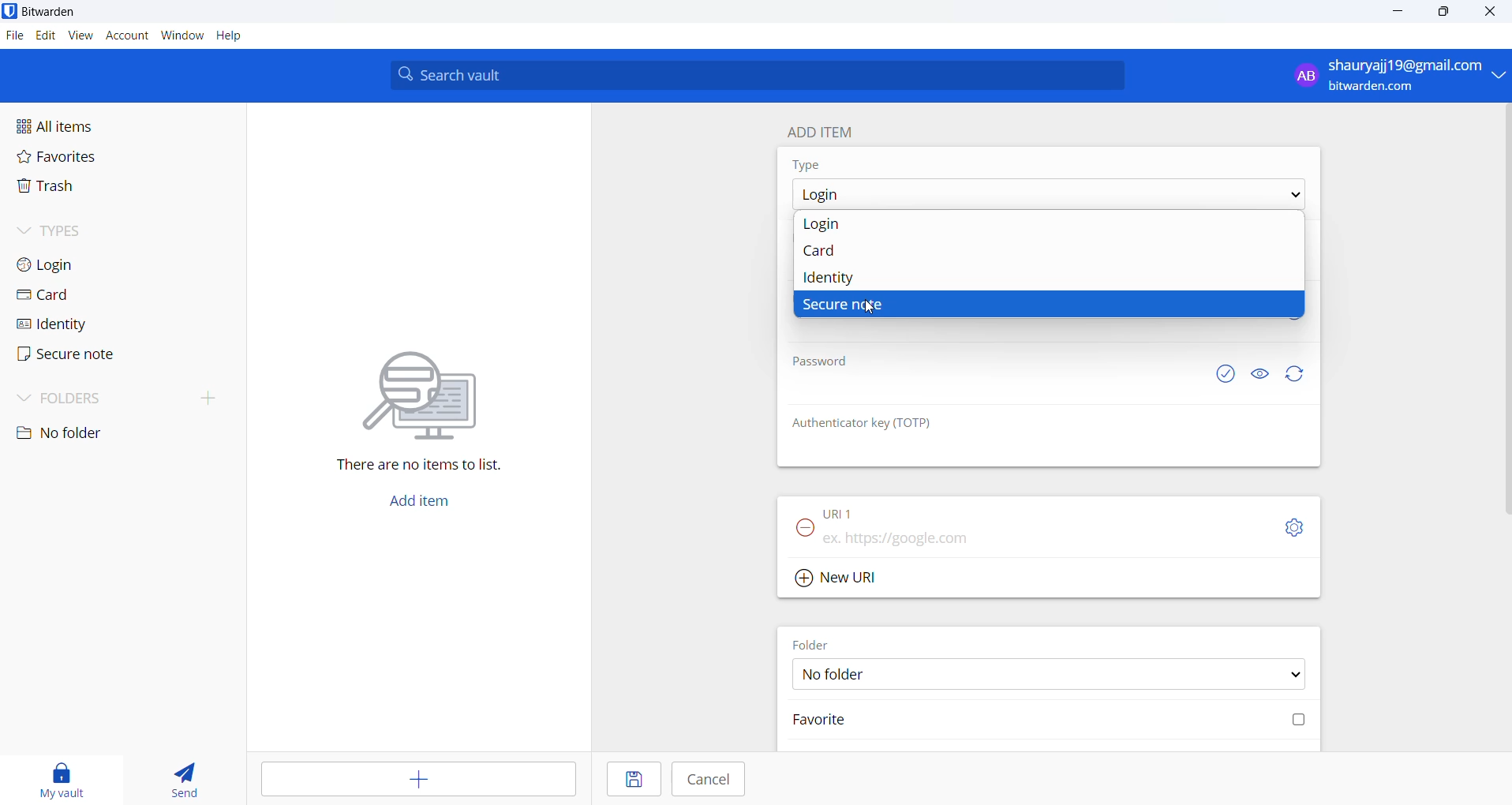 This screenshot has height=805, width=1512. What do you see at coordinates (993, 391) in the screenshot?
I see `password textbox` at bounding box center [993, 391].